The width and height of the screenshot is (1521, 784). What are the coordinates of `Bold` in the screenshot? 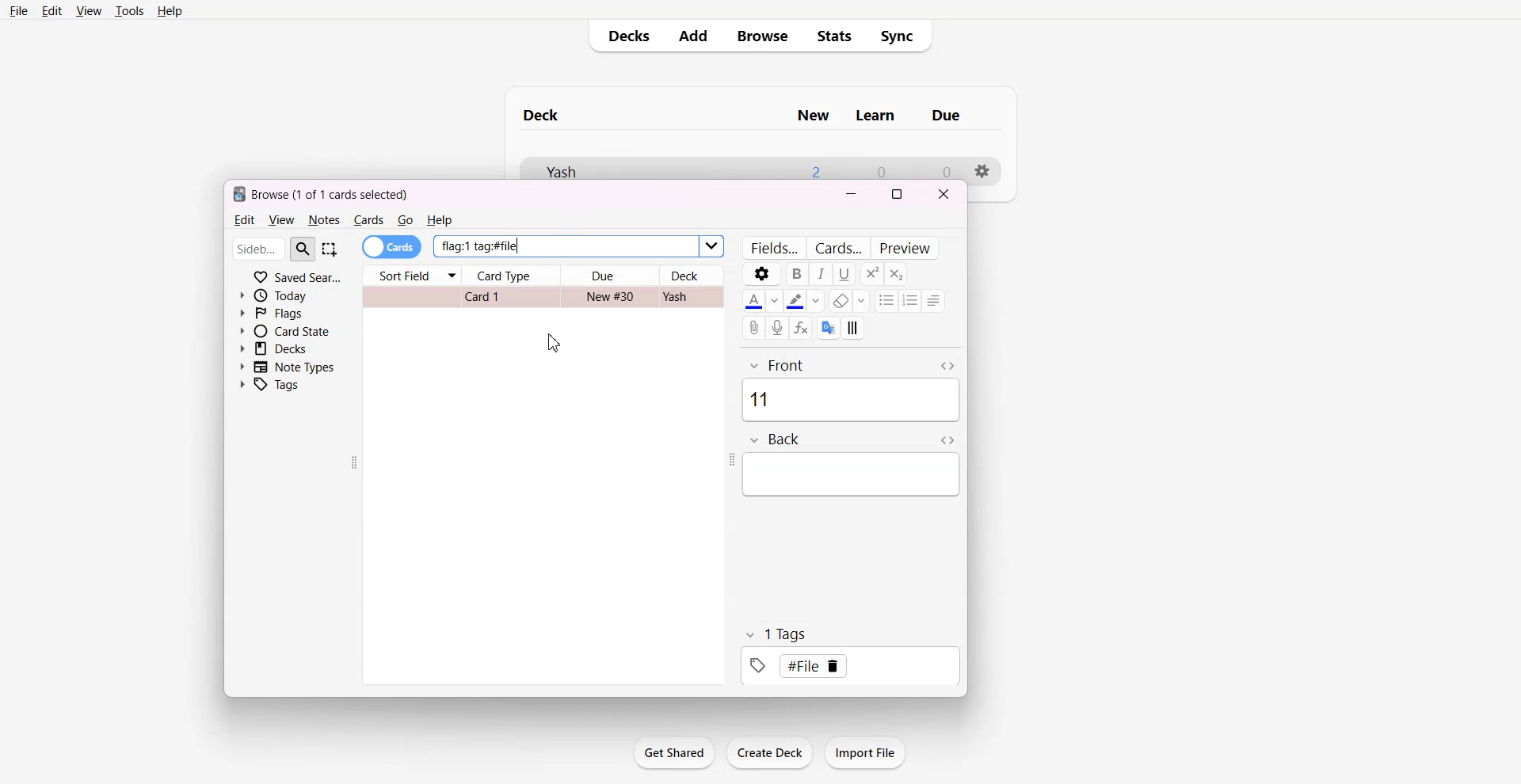 It's located at (796, 273).